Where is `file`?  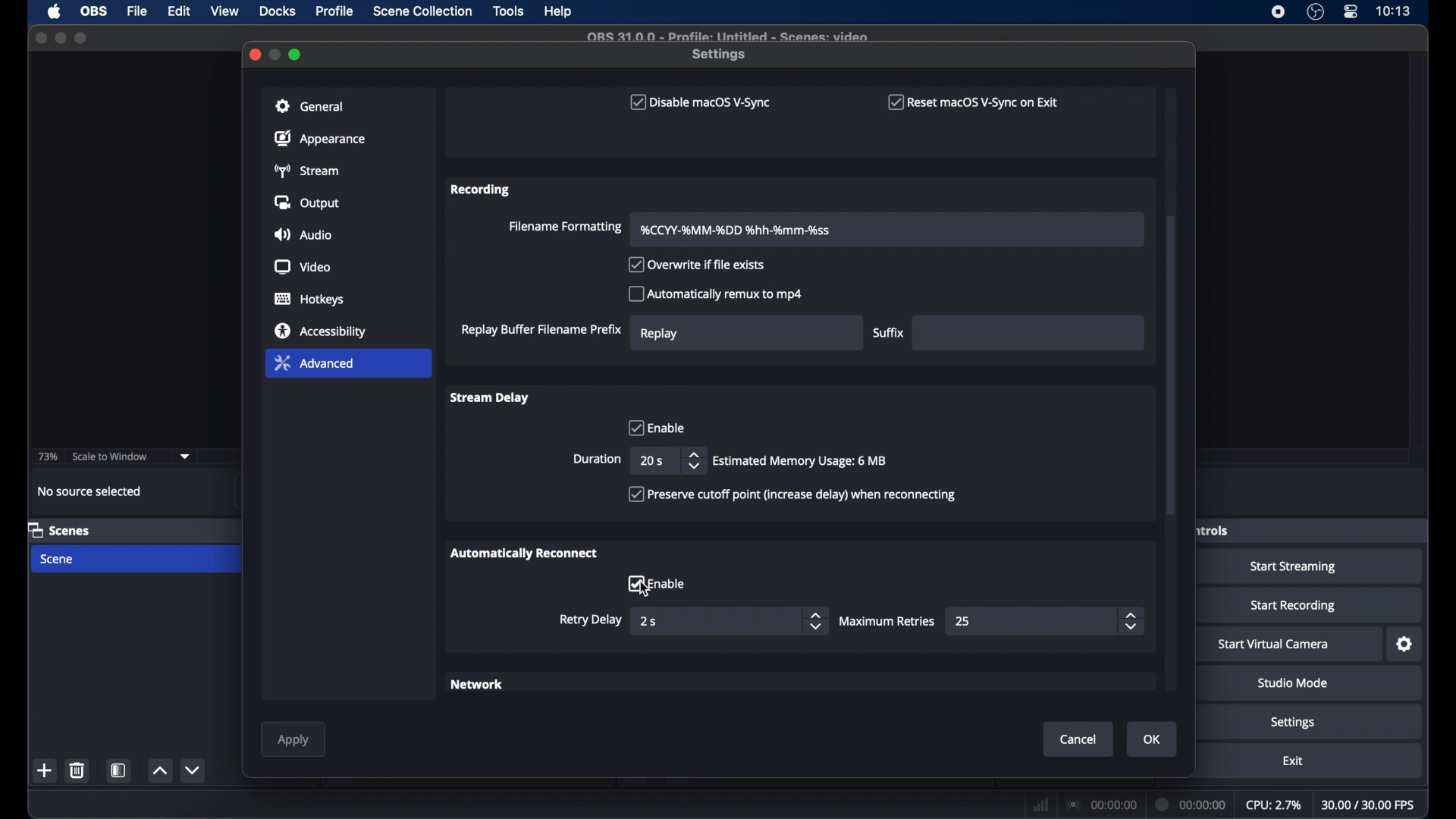 file is located at coordinates (137, 12).